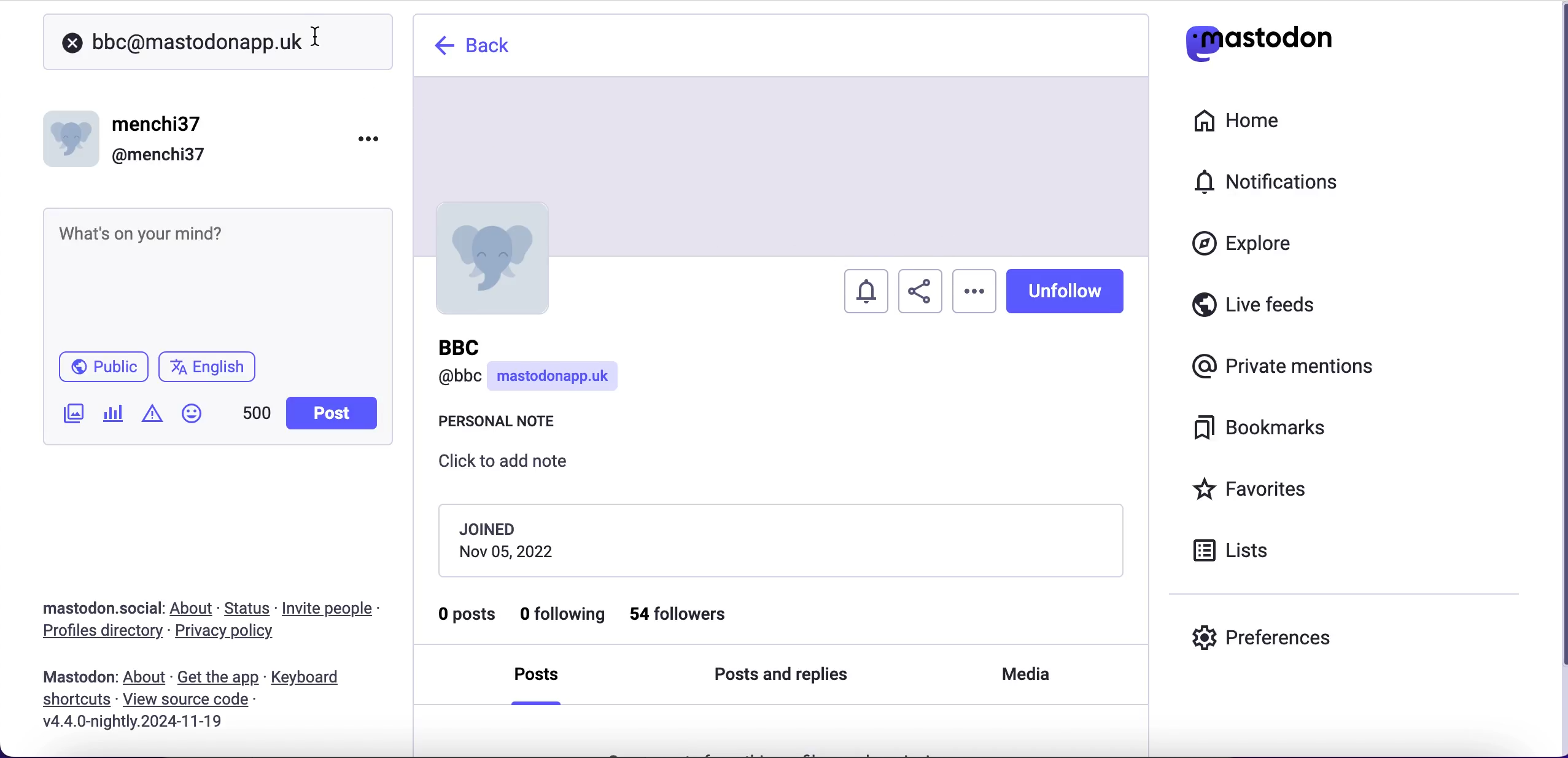  Describe the element at coordinates (194, 608) in the screenshot. I see `about` at that location.